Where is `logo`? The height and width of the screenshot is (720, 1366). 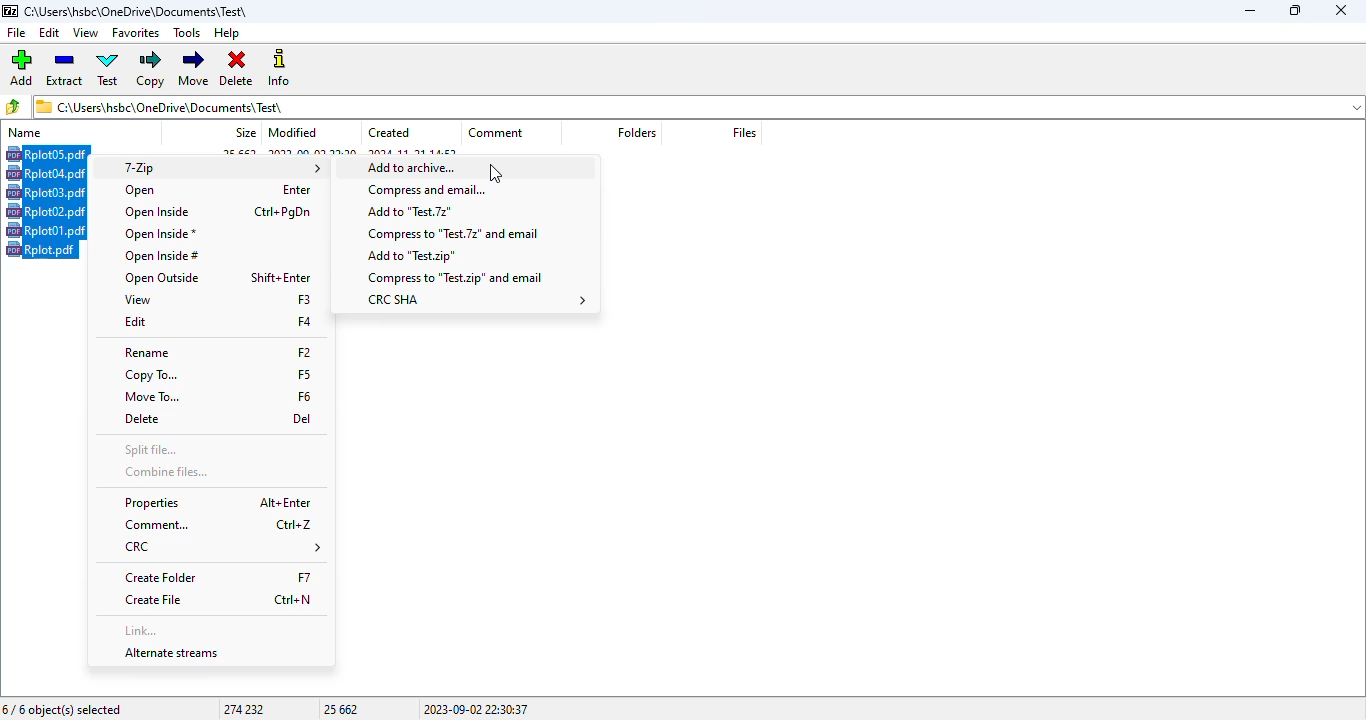 logo is located at coordinates (10, 11).